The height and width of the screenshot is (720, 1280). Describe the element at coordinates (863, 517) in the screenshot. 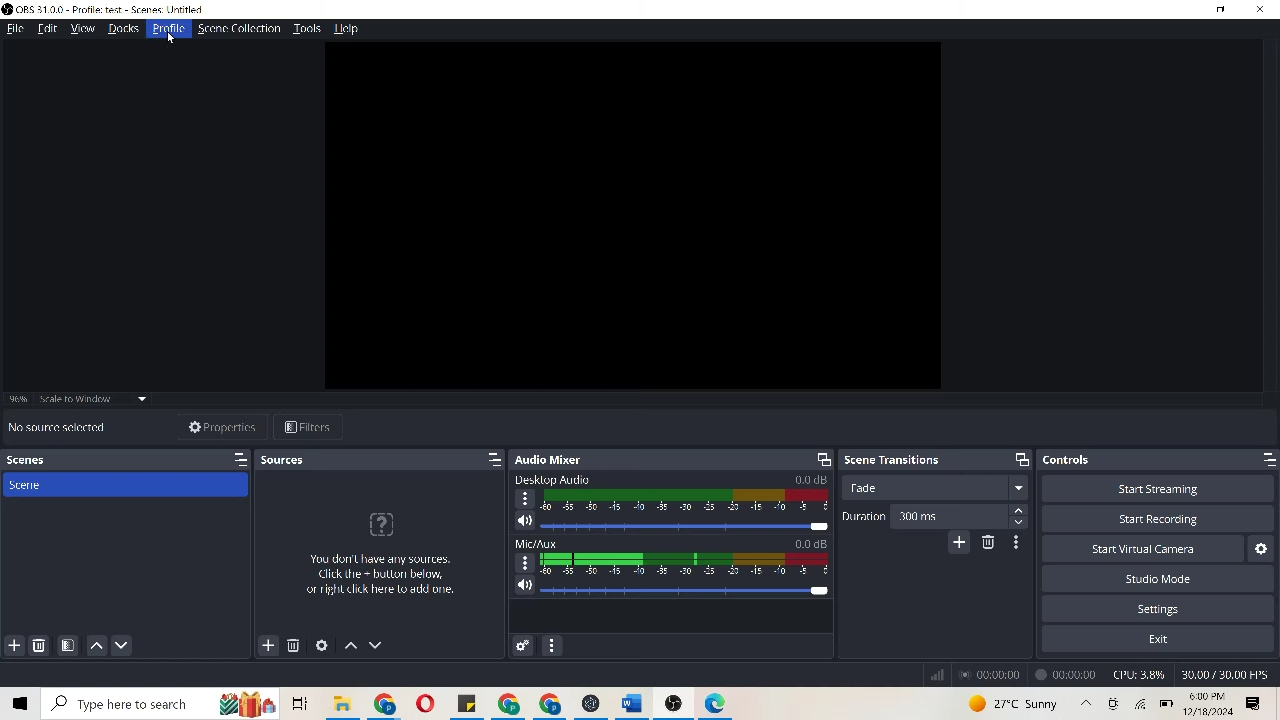

I see `duration` at that location.